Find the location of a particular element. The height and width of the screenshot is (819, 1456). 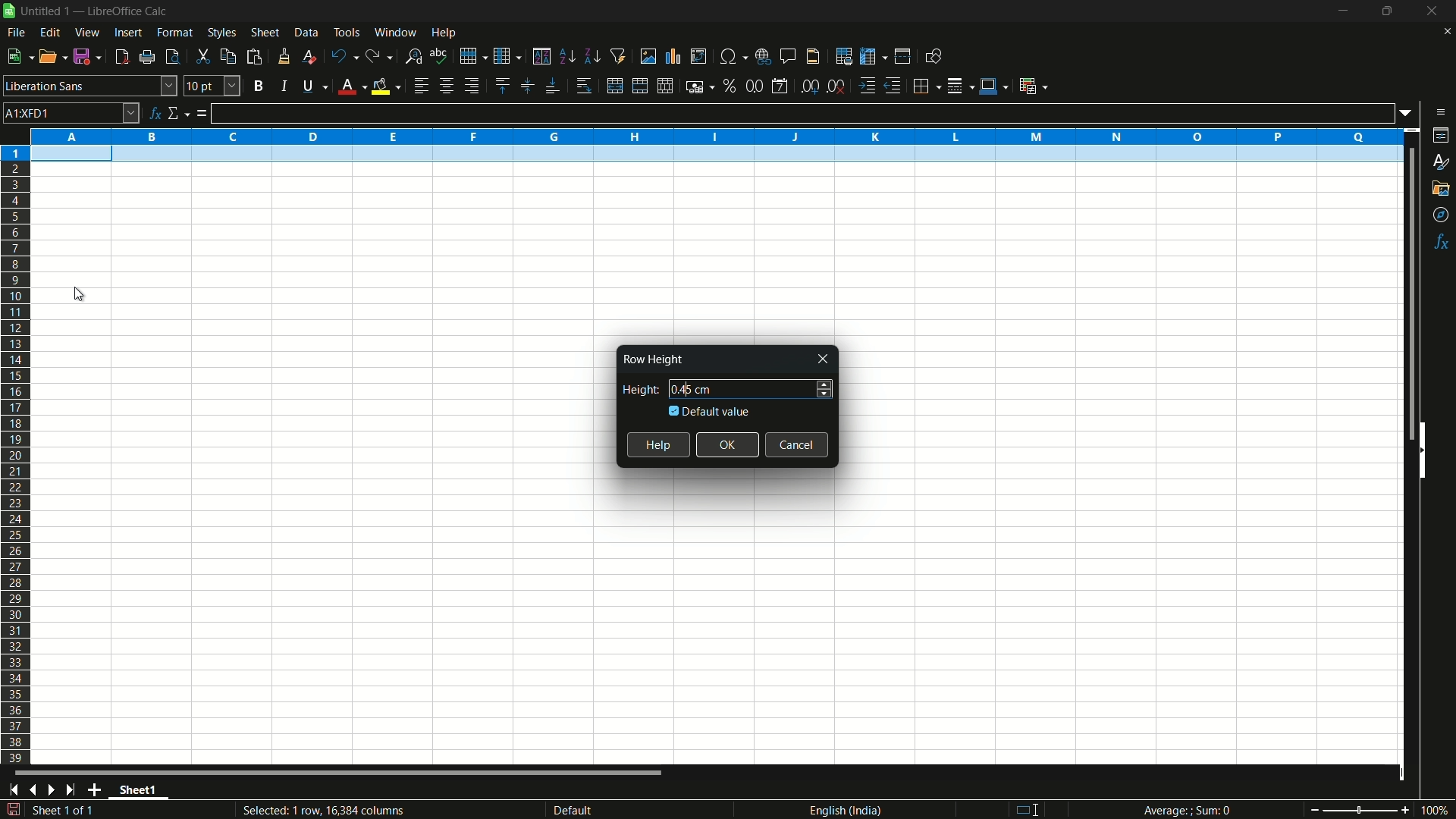

add decimal place is located at coordinates (812, 87).